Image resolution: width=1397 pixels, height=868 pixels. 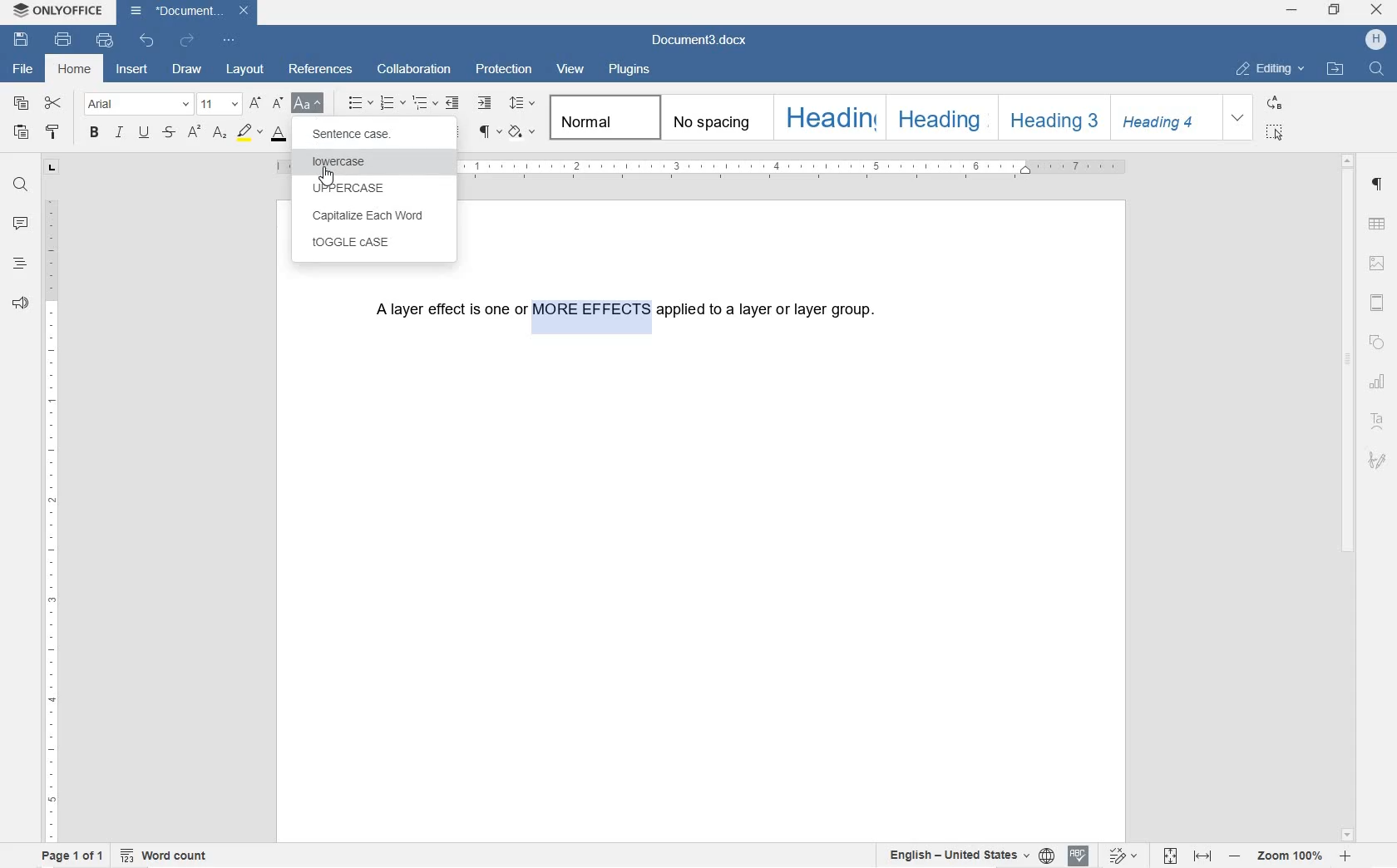 What do you see at coordinates (1275, 102) in the screenshot?
I see `REPLACE` at bounding box center [1275, 102].